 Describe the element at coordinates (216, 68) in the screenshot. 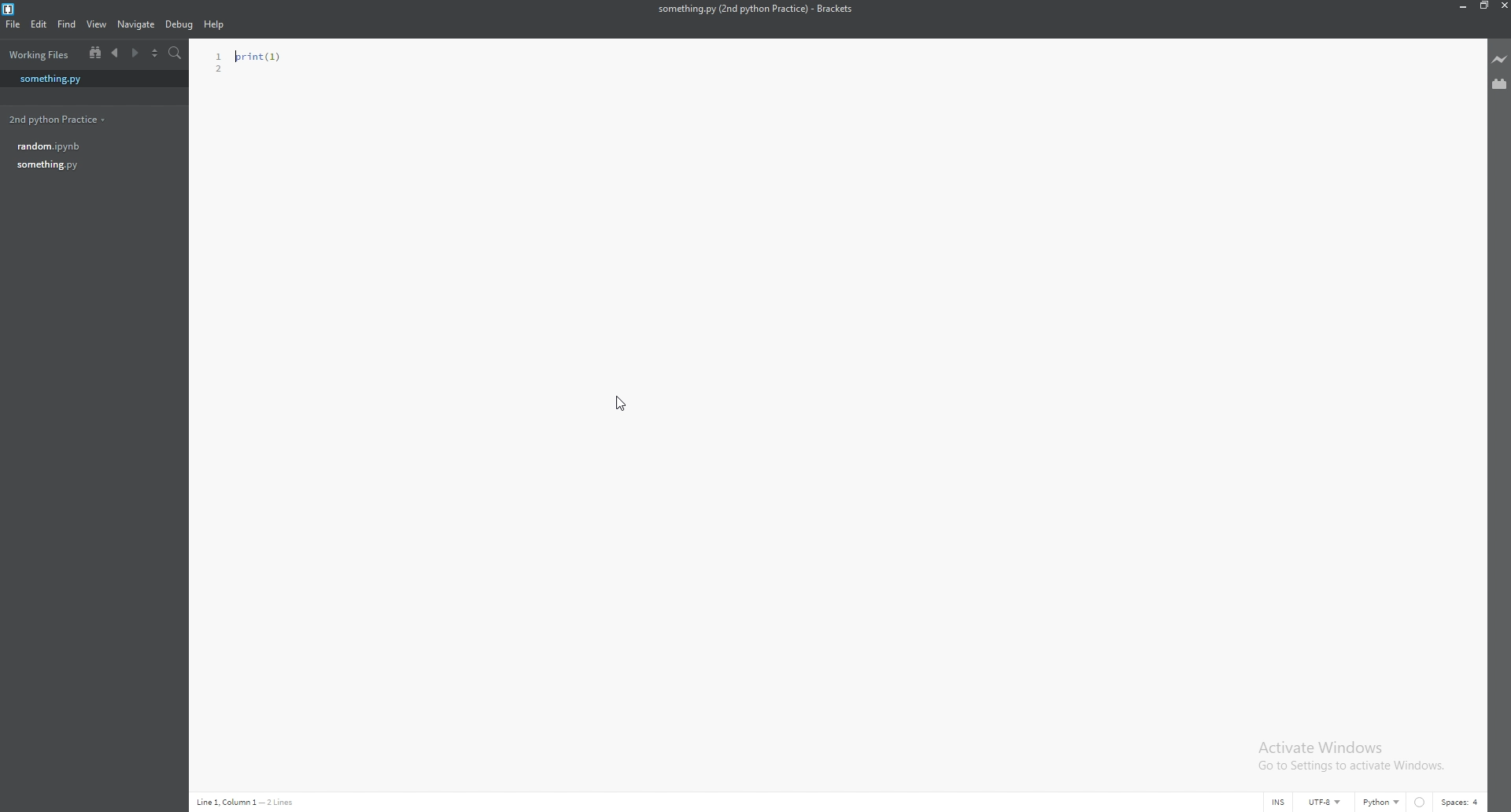

I see `2` at that location.